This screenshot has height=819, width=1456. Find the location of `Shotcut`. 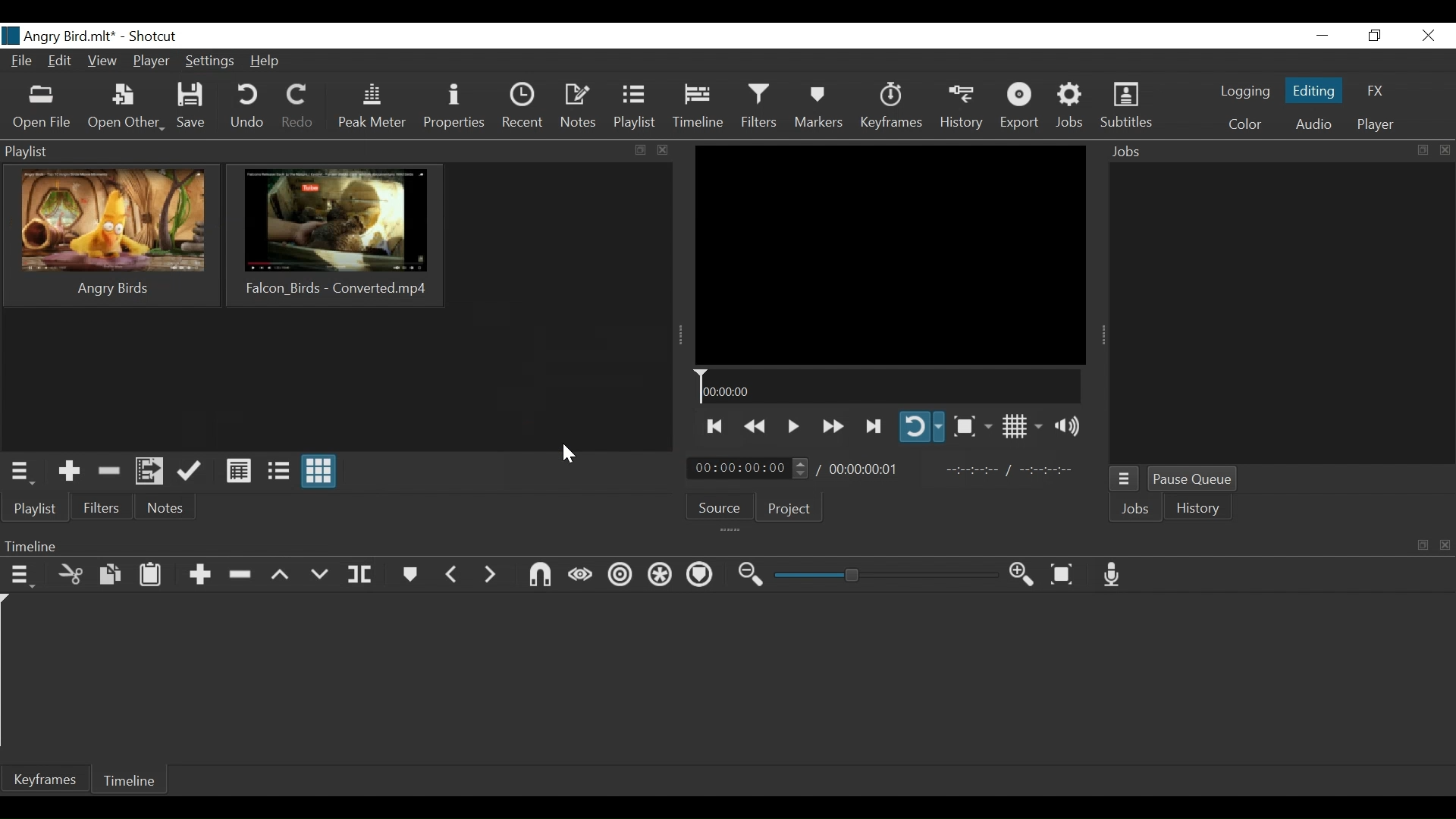

Shotcut is located at coordinates (154, 36).